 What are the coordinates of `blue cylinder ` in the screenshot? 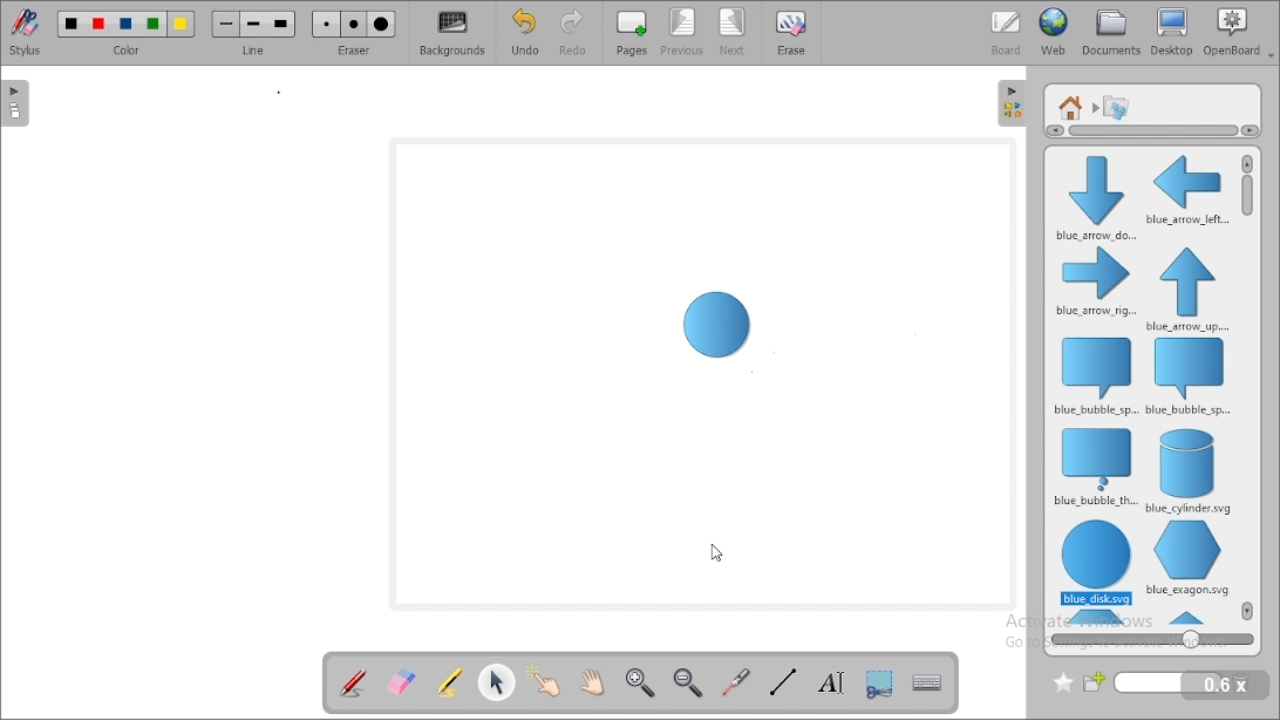 It's located at (1190, 471).